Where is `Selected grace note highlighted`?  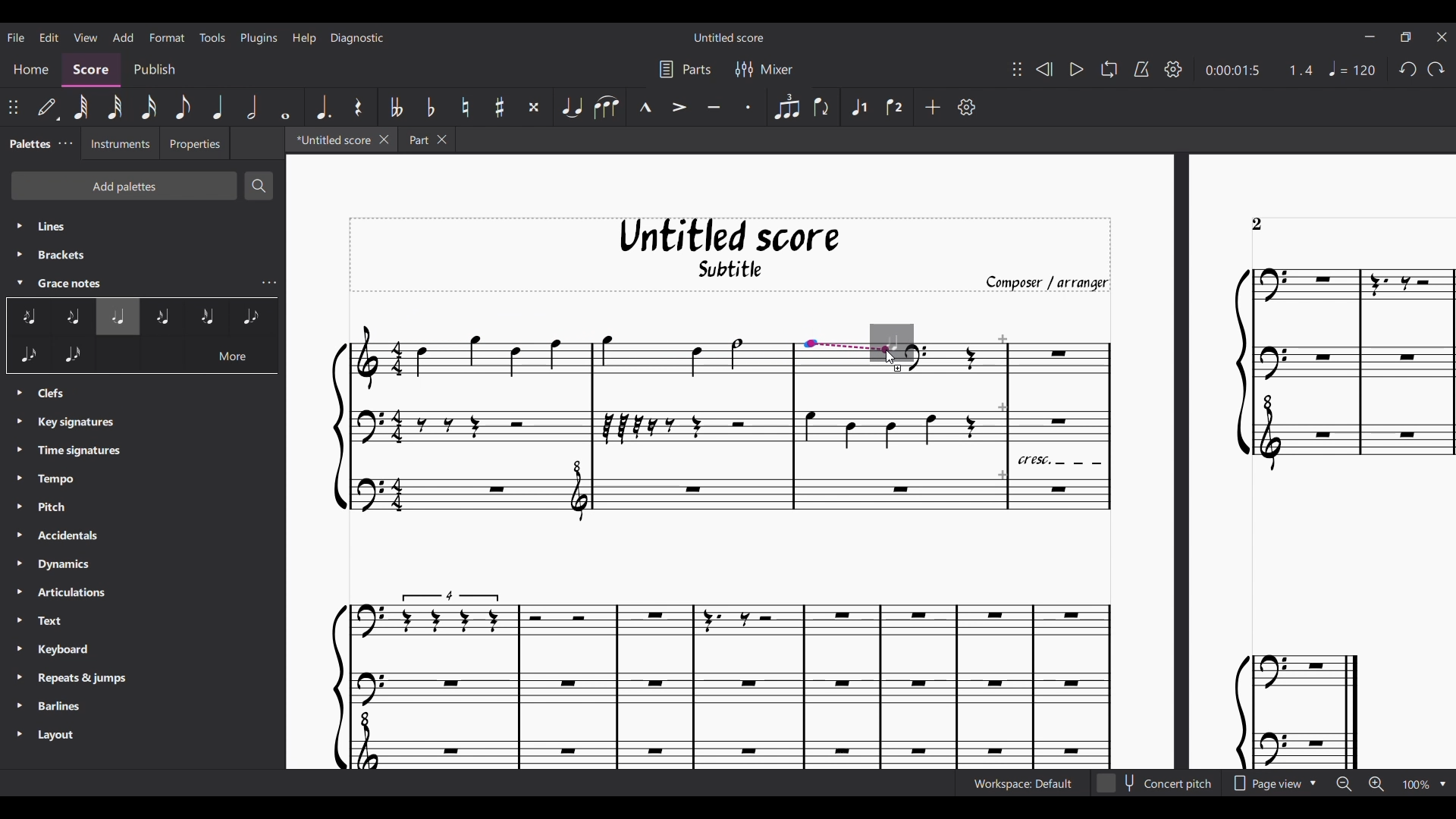 Selected grace note highlighted is located at coordinates (118, 317).